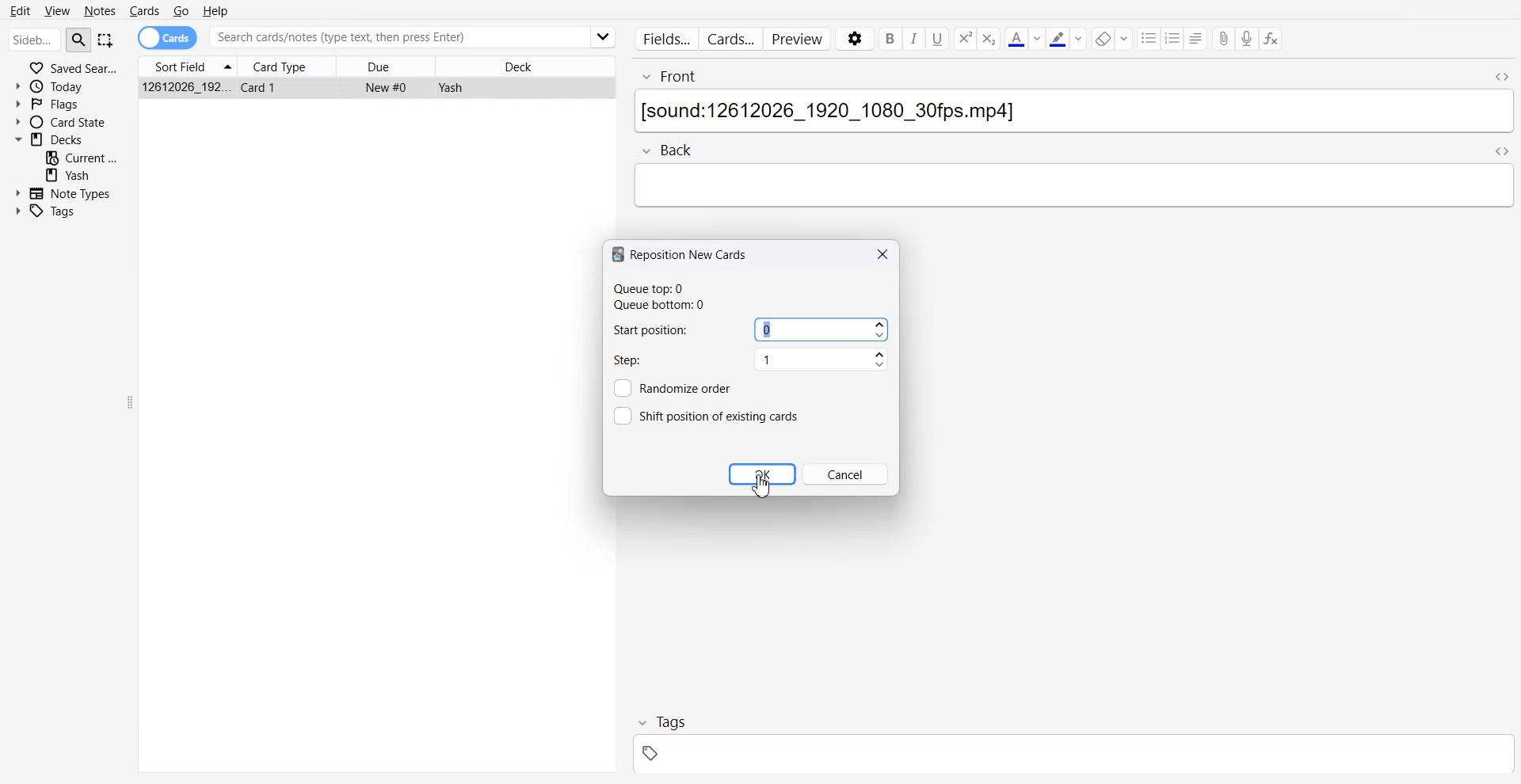 The image size is (1521, 784). I want to click on Text, so click(1072, 112).